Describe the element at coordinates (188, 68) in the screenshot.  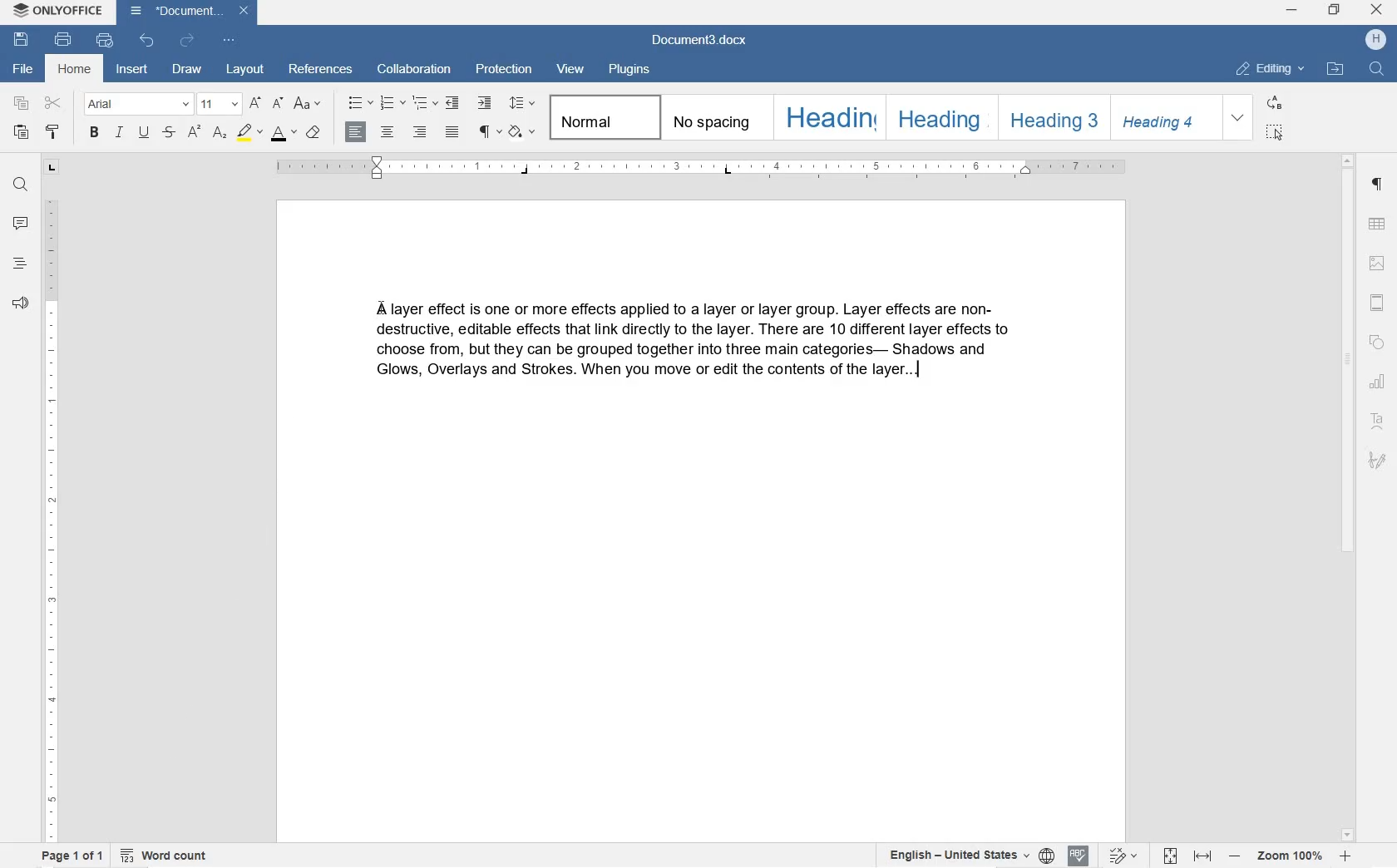
I see `DRAW` at that location.